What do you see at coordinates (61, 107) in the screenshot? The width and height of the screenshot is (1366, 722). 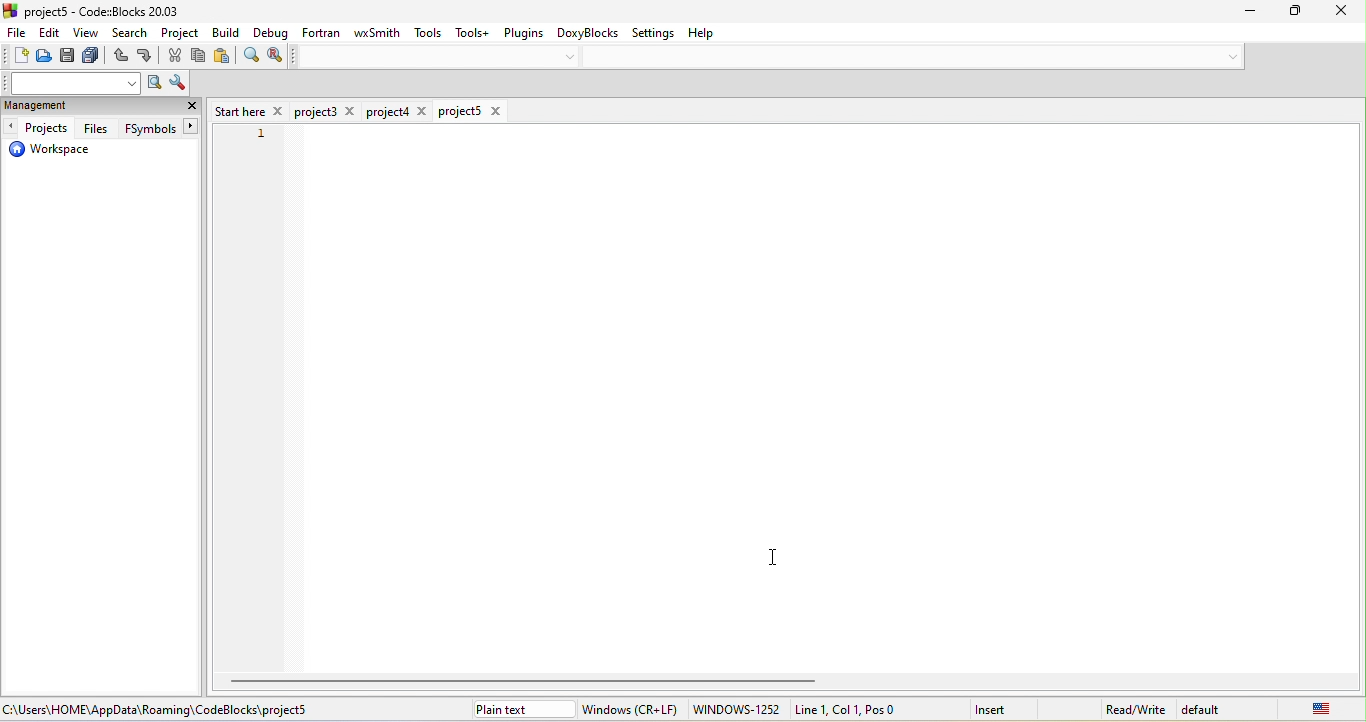 I see `management` at bounding box center [61, 107].